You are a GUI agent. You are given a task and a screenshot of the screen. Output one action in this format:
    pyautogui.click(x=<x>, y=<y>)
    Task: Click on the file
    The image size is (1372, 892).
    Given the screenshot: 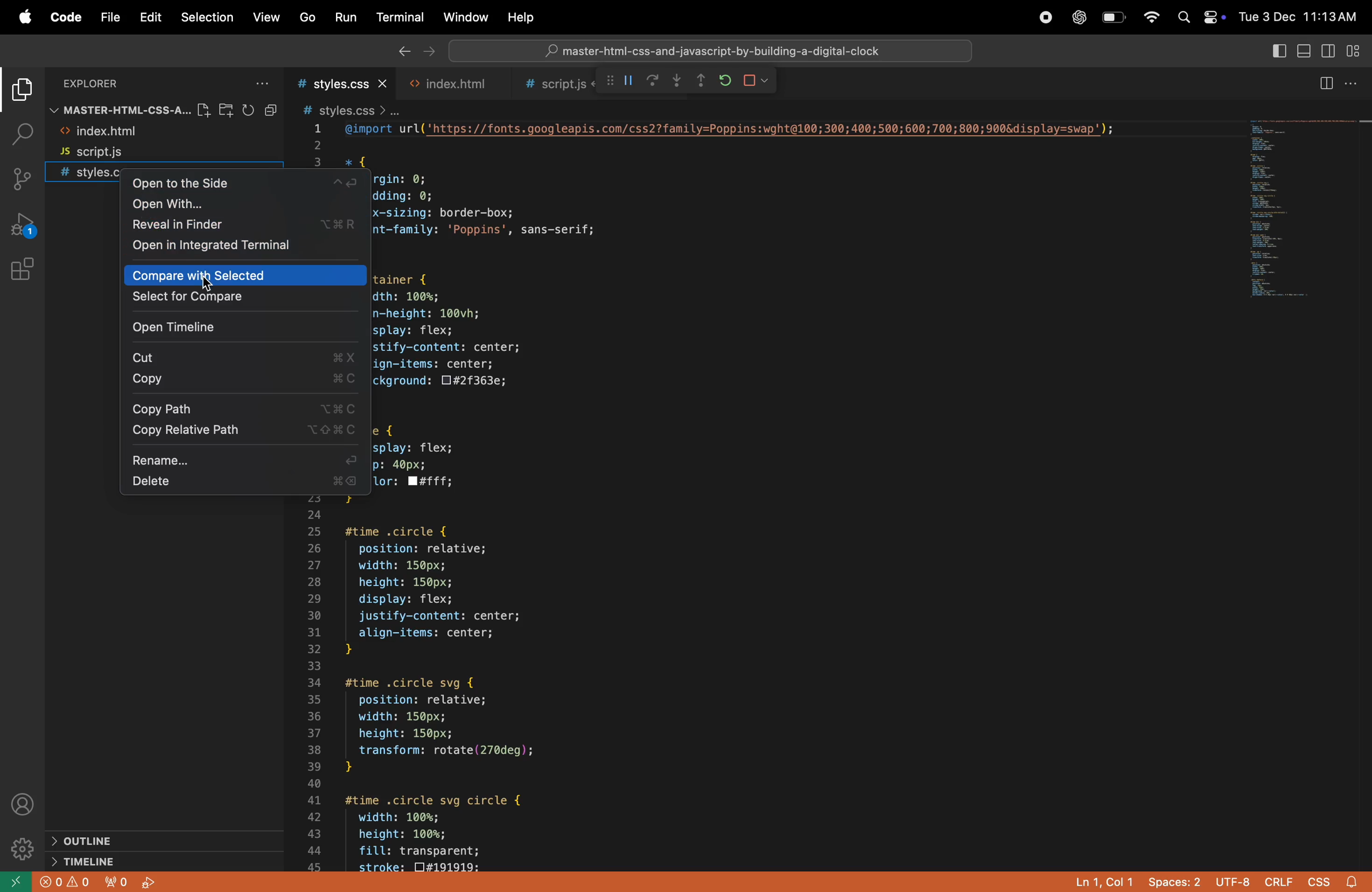 What is the action you would take?
    pyautogui.click(x=114, y=16)
    